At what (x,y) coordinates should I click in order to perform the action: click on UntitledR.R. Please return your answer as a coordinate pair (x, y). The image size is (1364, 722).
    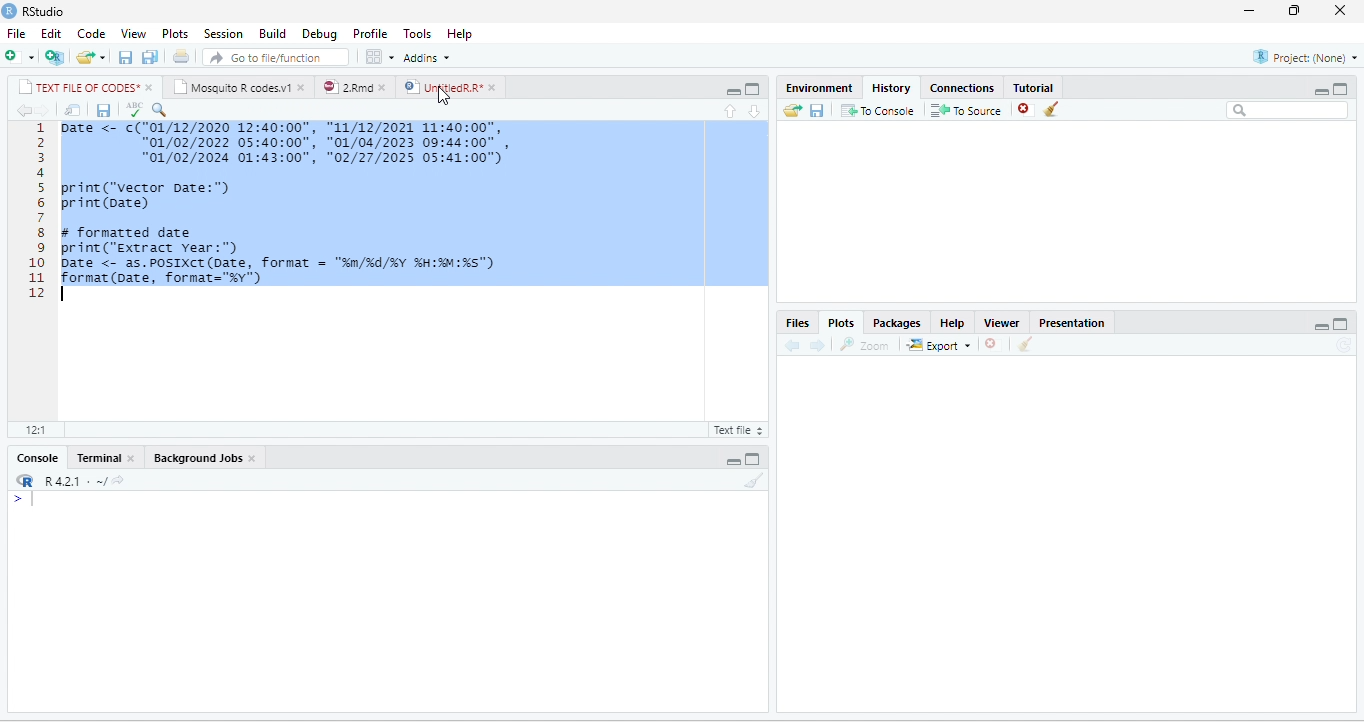
    Looking at the image, I should click on (442, 86).